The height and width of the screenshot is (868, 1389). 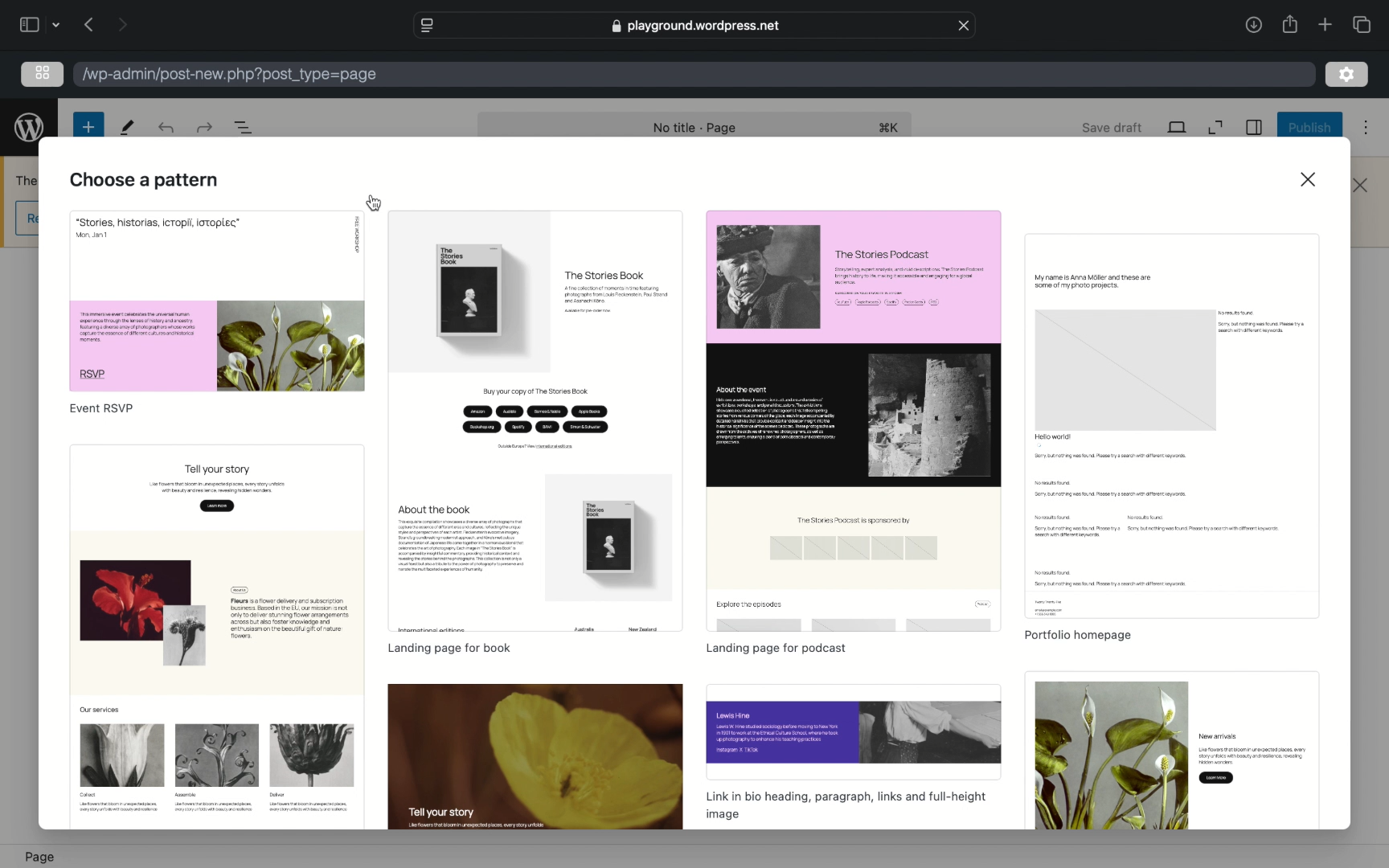 What do you see at coordinates (29, 24) in the screenshot?
I see `sidebar` at bounding box center [29, 24].